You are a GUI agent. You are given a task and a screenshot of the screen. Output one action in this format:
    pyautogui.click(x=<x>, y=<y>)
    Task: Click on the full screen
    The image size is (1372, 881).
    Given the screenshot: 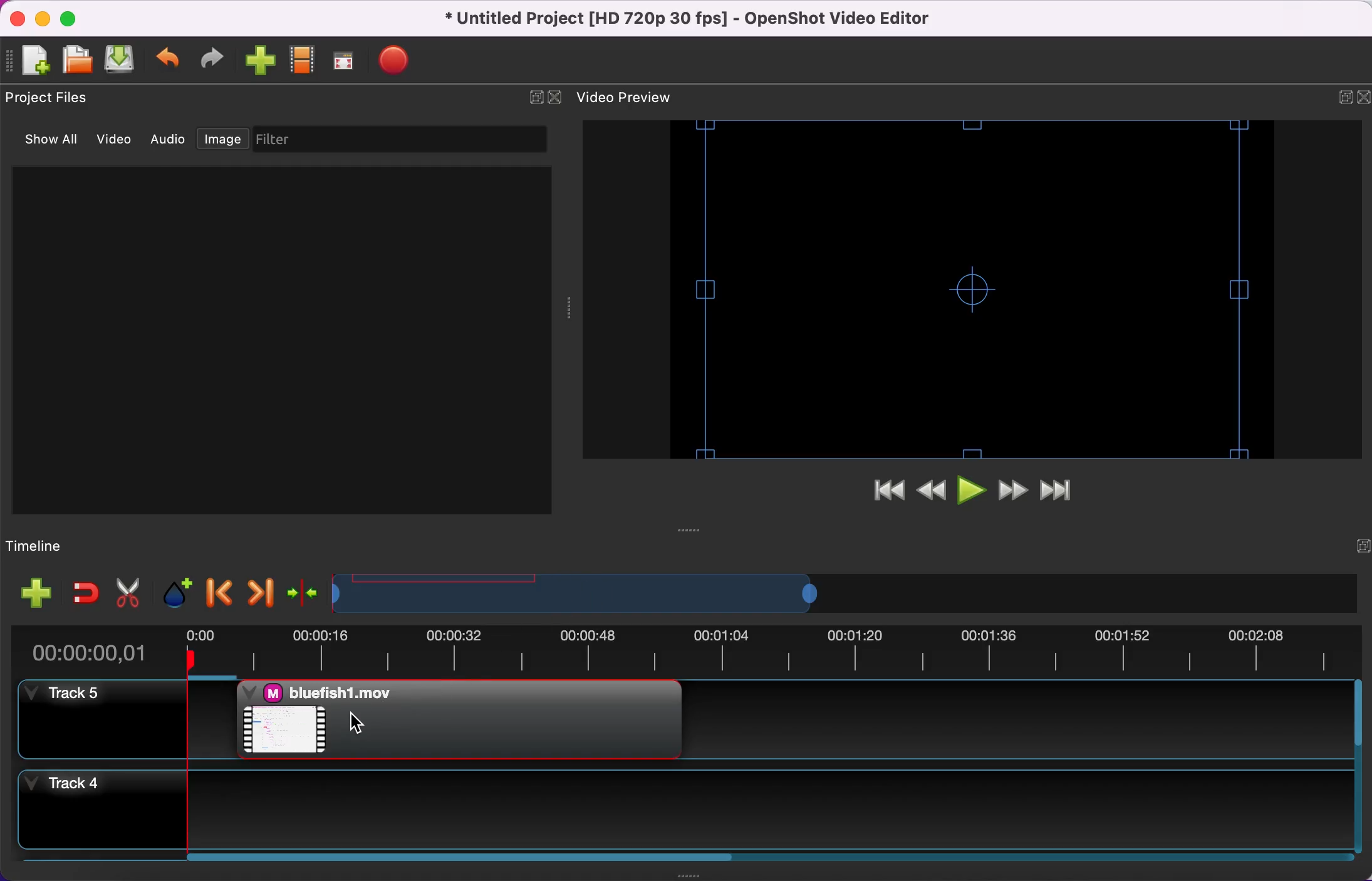 What is the action you would take?
    pyautogui.click(x=349, y=60)
    